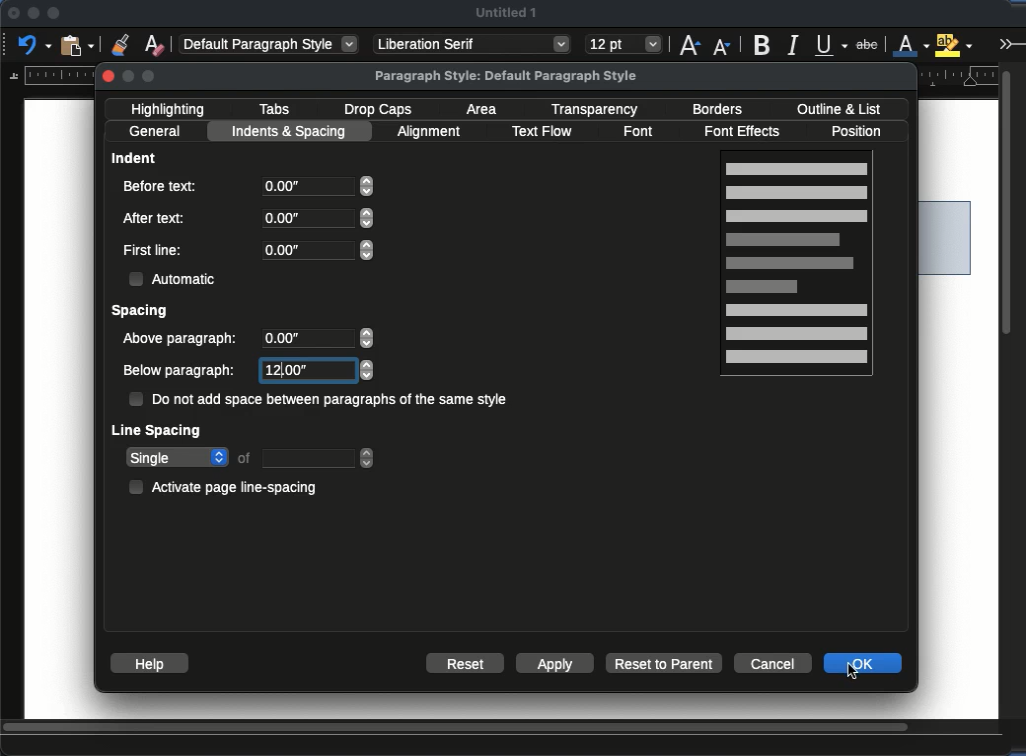 This screenshot has height=756, width=1026. I want to click on above paragraph, so click(182, 340).